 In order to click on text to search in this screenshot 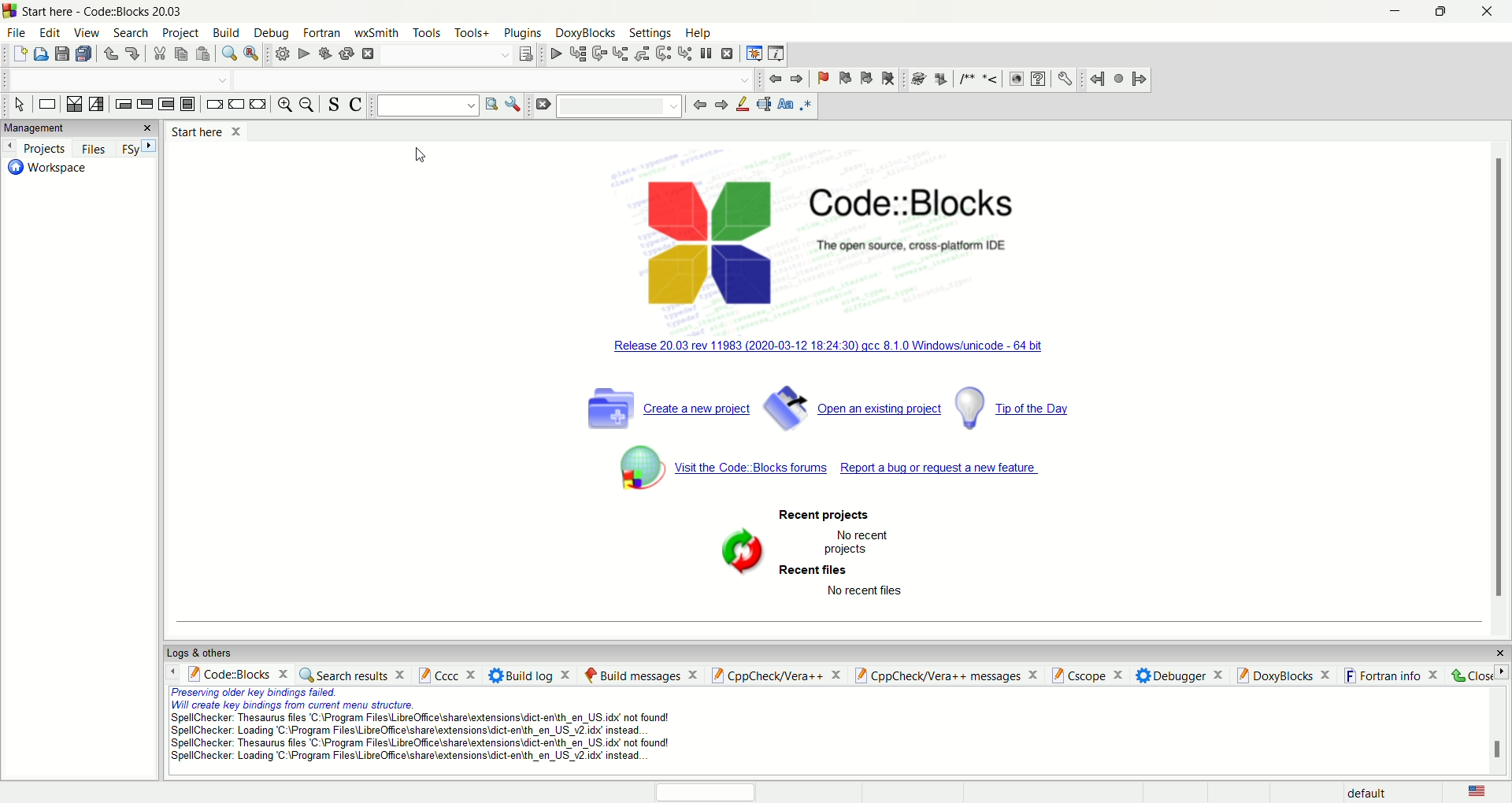, I will do `click(427, 107)`.